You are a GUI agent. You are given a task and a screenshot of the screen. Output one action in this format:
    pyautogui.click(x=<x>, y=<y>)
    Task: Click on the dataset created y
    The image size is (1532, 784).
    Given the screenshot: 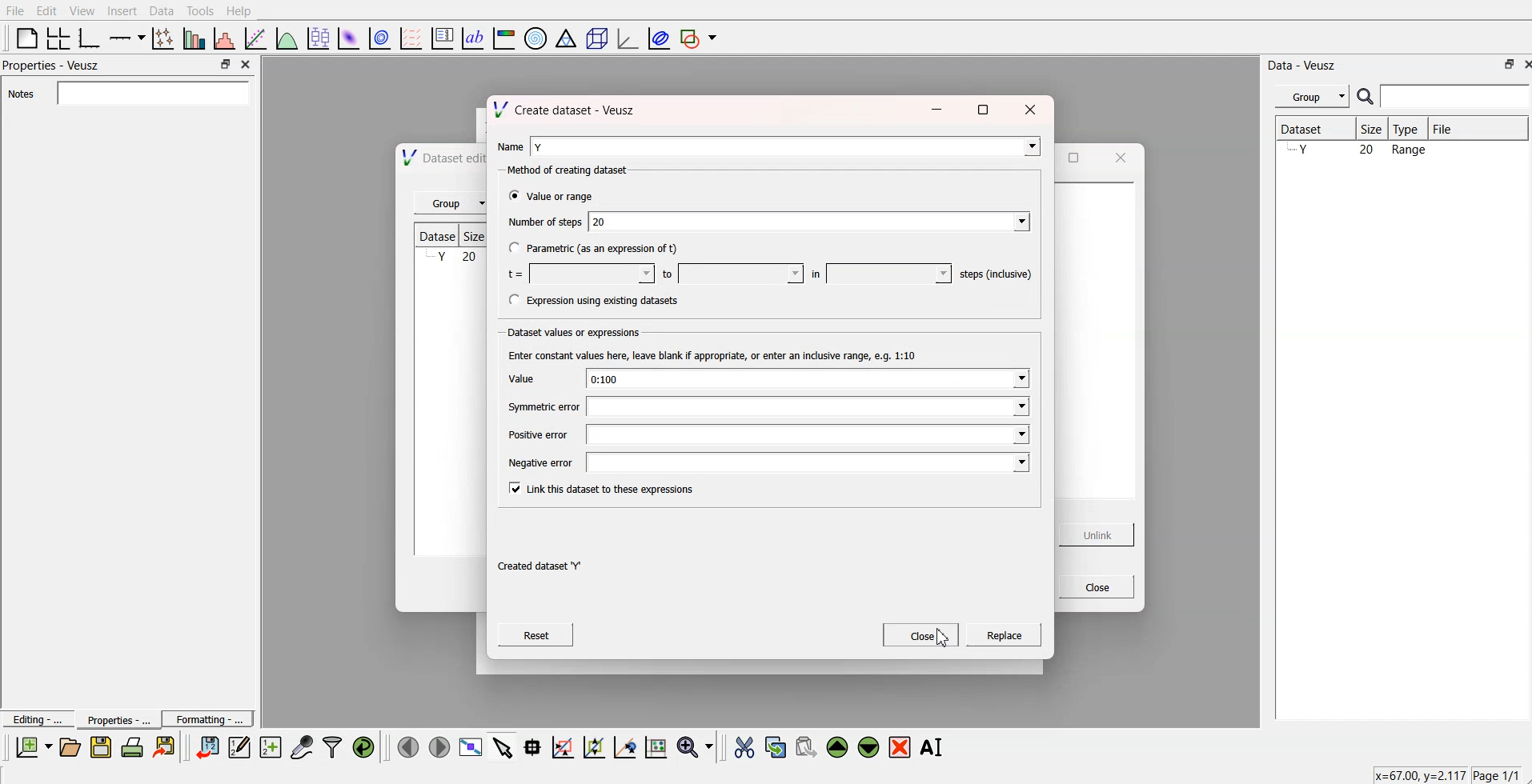 What is the action you would take?
    pyautogui.click(x=537, y=566)
    